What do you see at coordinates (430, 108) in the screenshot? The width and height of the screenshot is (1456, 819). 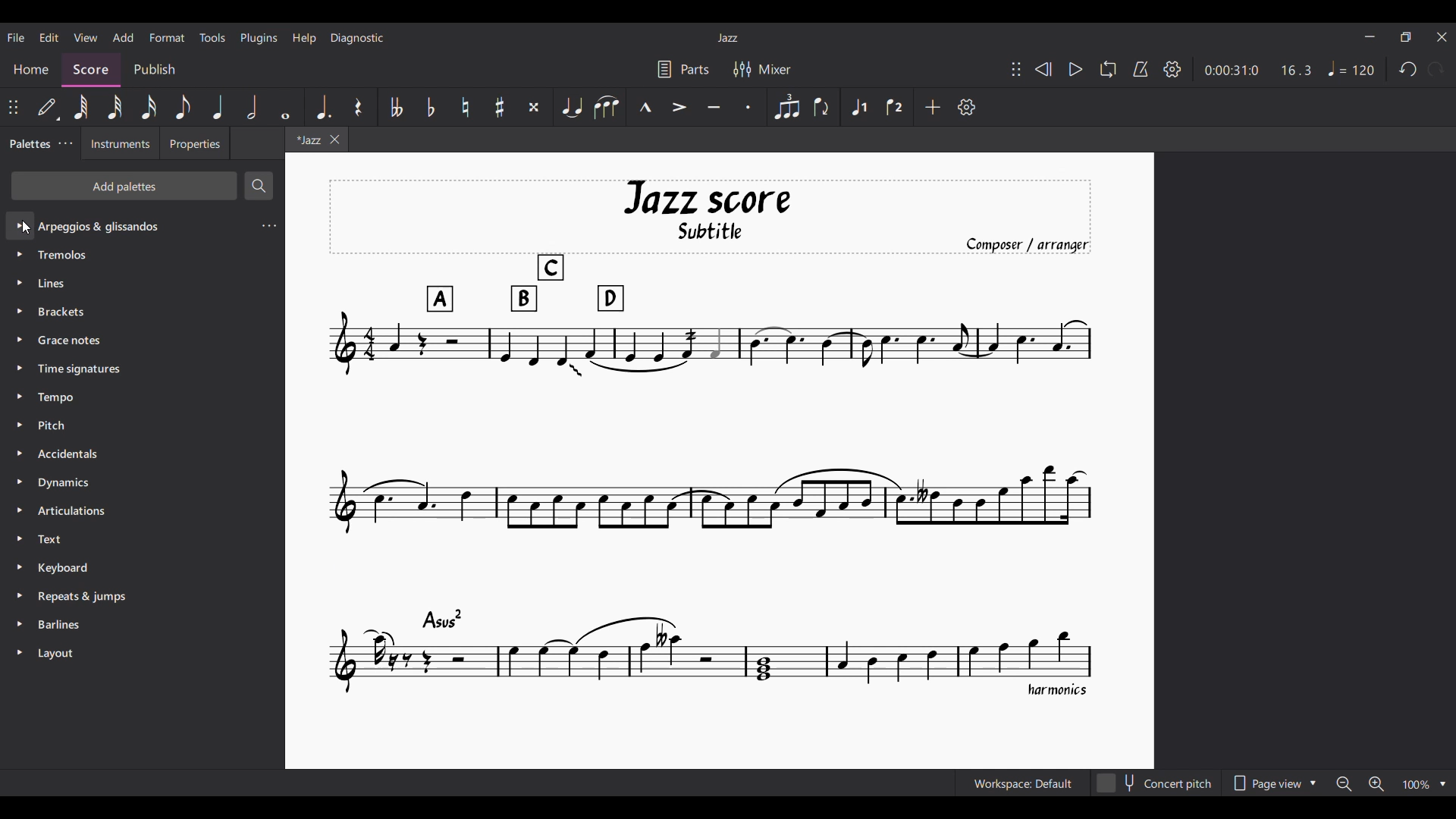 I see `Toggle flat` at bounding box center [430, 108].